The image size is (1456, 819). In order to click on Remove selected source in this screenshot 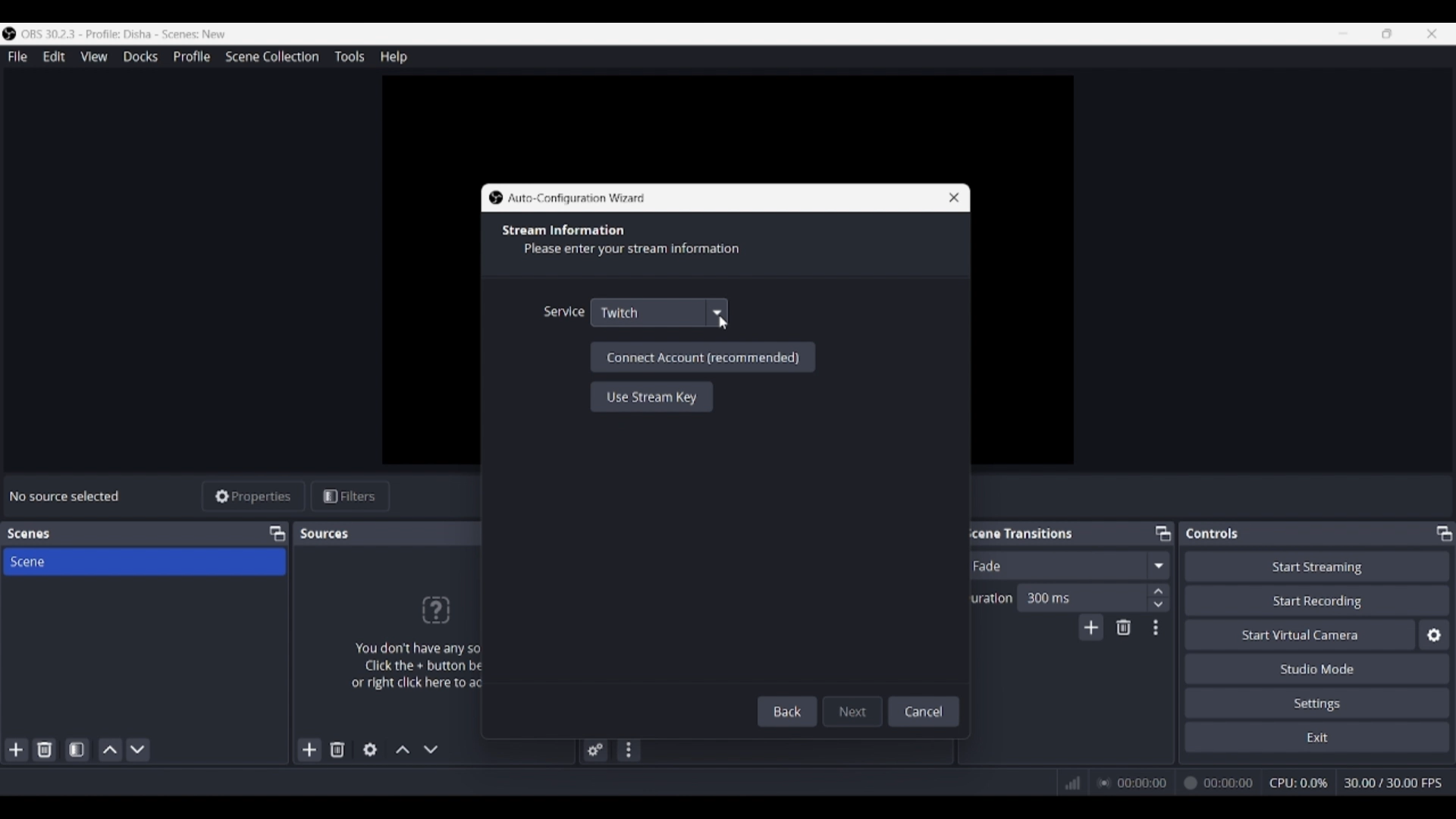, I will do `click(337, 749)`.